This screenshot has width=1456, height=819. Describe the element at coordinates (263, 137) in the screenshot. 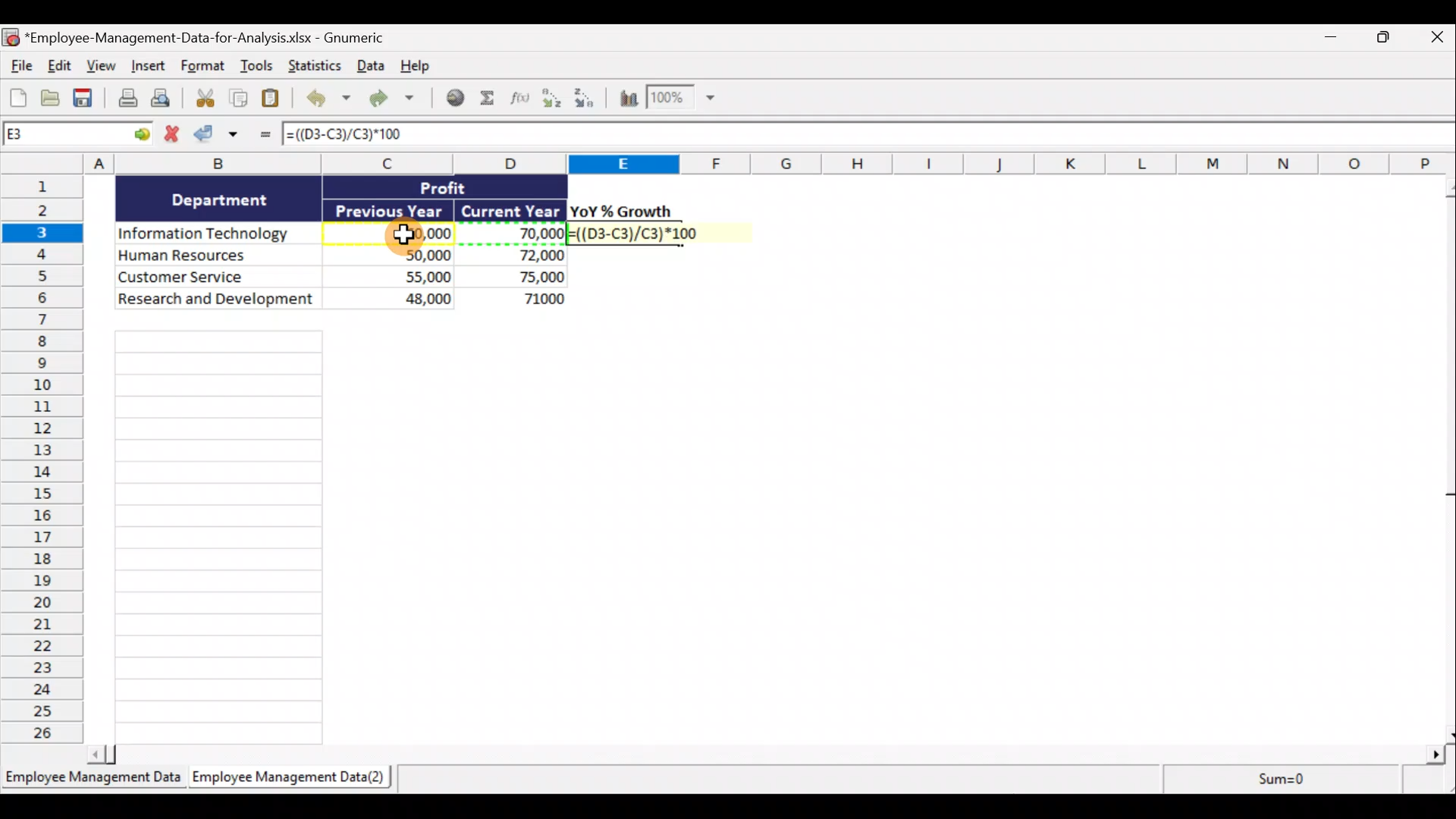

I see `Enter formula` at that location.